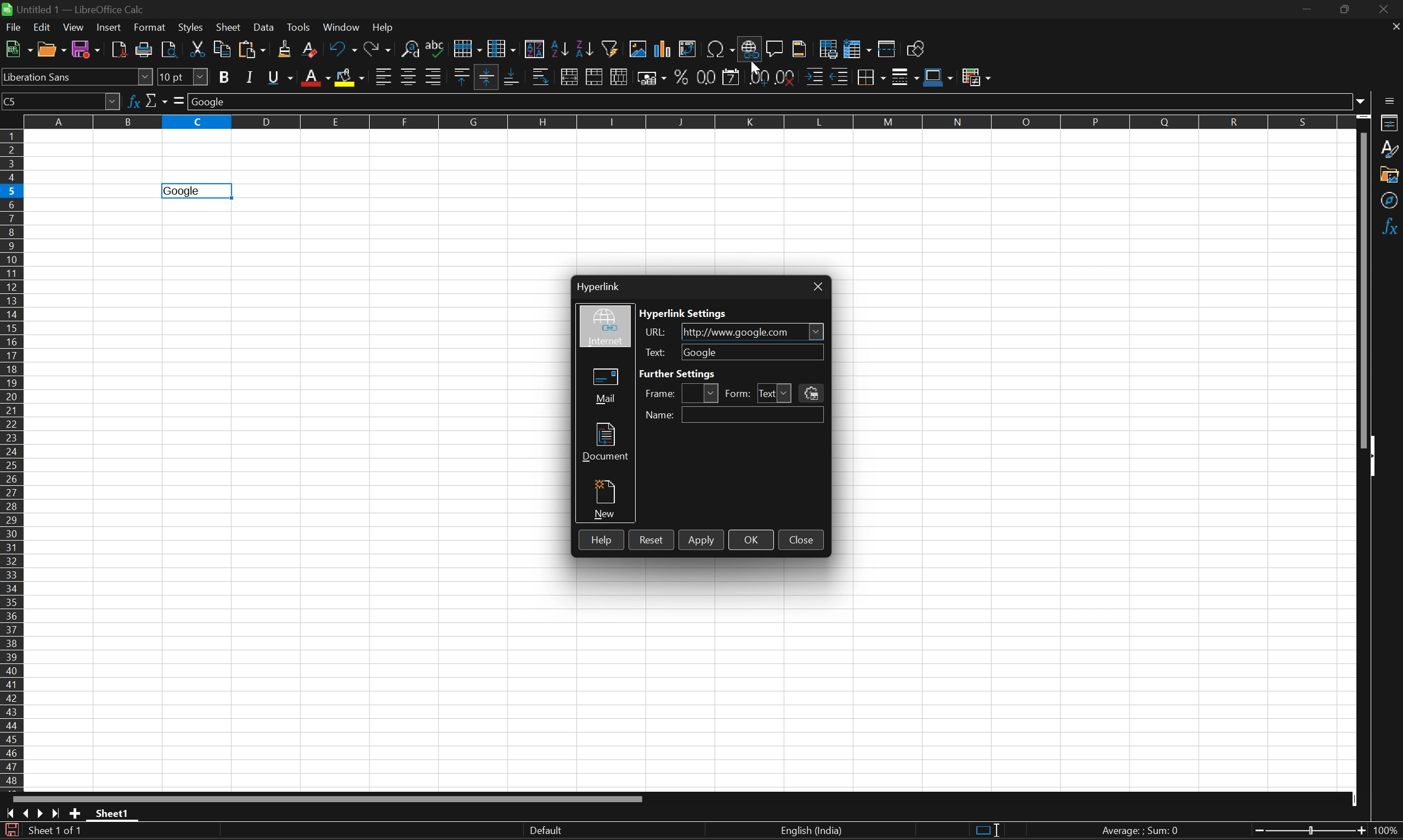  What do you see at coordinates (600, 539) in the screenshot?
I see `Help` at bounding box center [600, 539].